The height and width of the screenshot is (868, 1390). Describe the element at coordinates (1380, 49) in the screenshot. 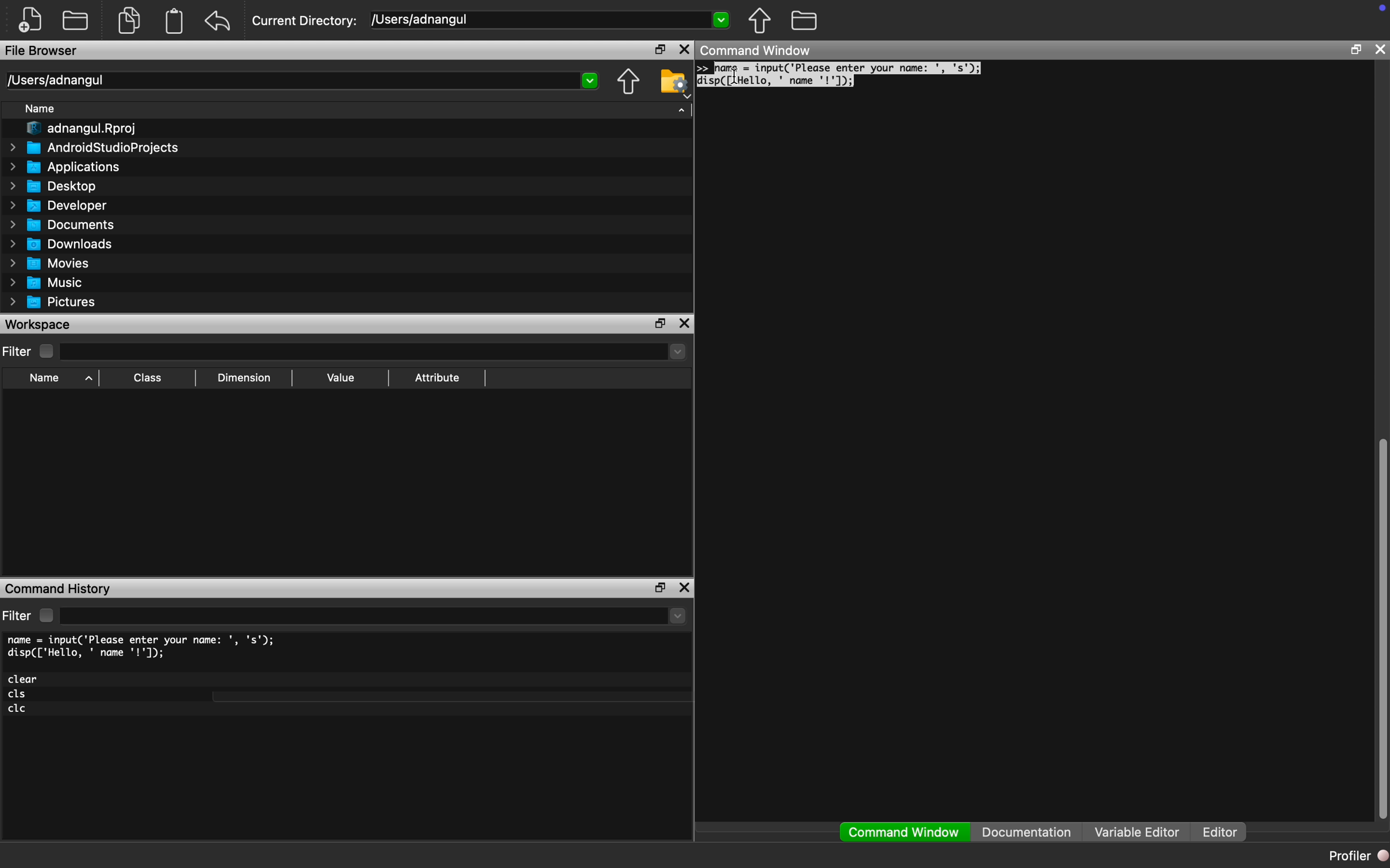

I see `close` at that location.